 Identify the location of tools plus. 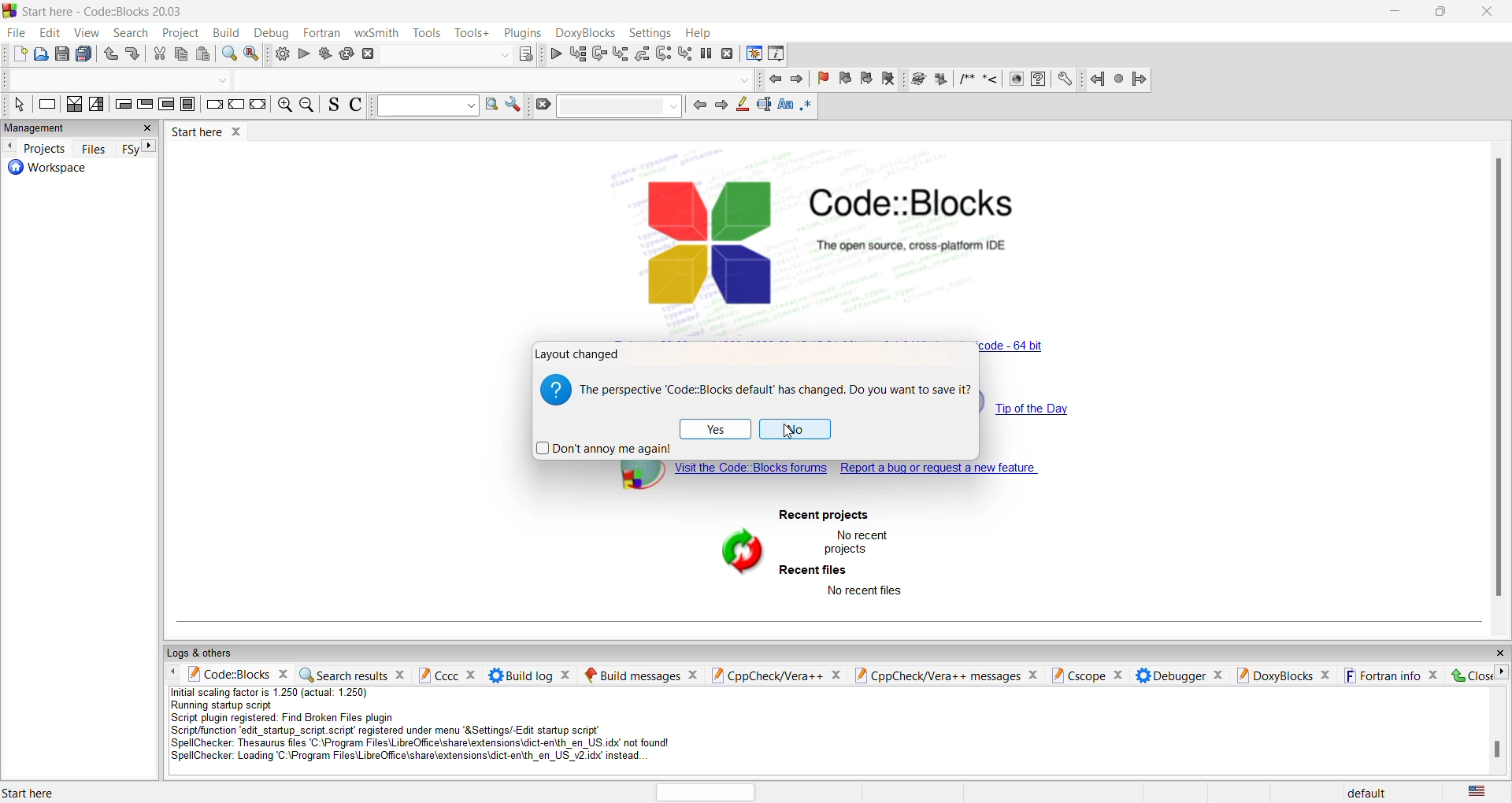
(472, 33).